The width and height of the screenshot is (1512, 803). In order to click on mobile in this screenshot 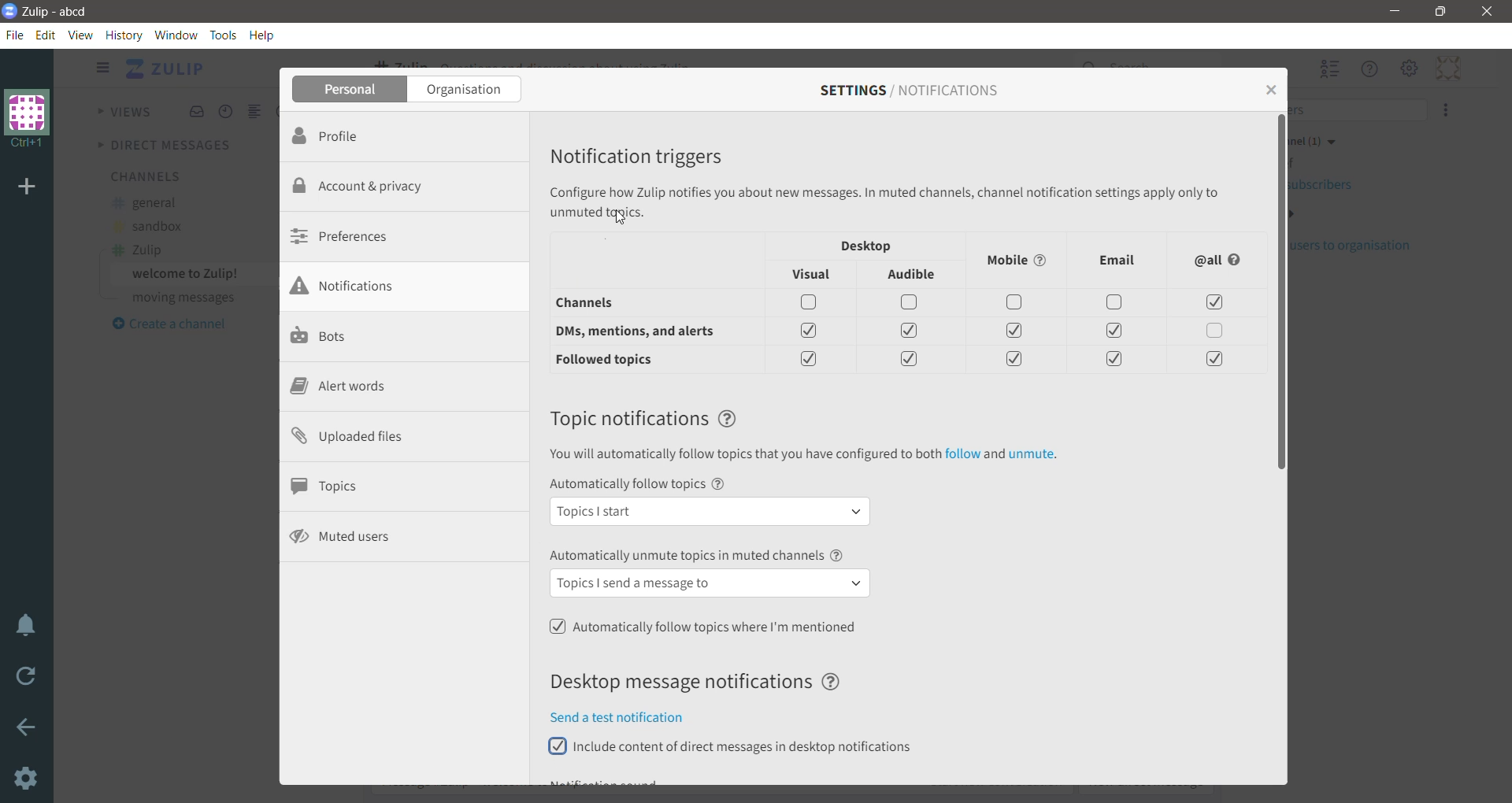, I will do `click(1020, 260)`.